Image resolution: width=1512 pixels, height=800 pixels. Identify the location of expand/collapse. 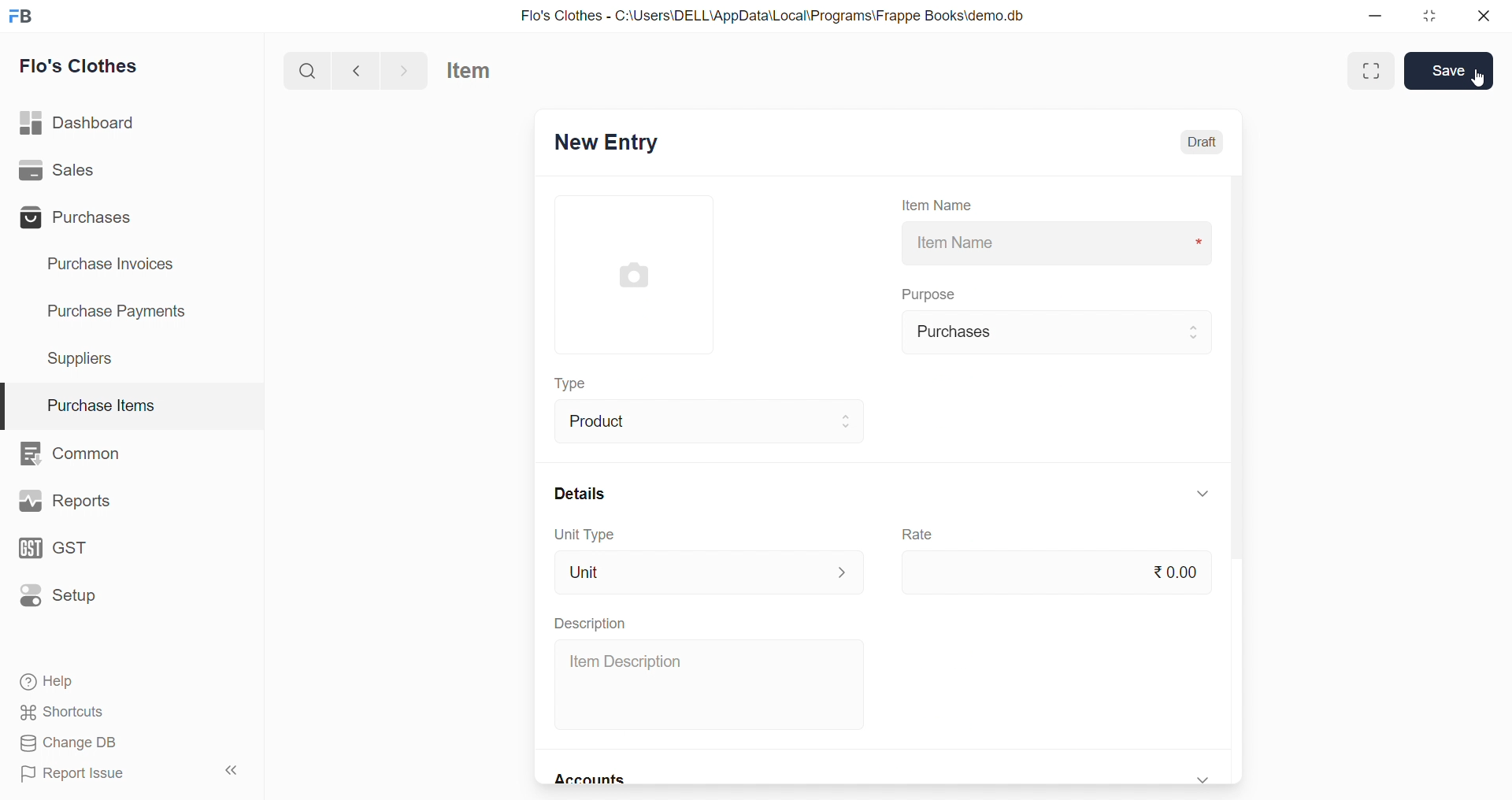
(1203, 493).